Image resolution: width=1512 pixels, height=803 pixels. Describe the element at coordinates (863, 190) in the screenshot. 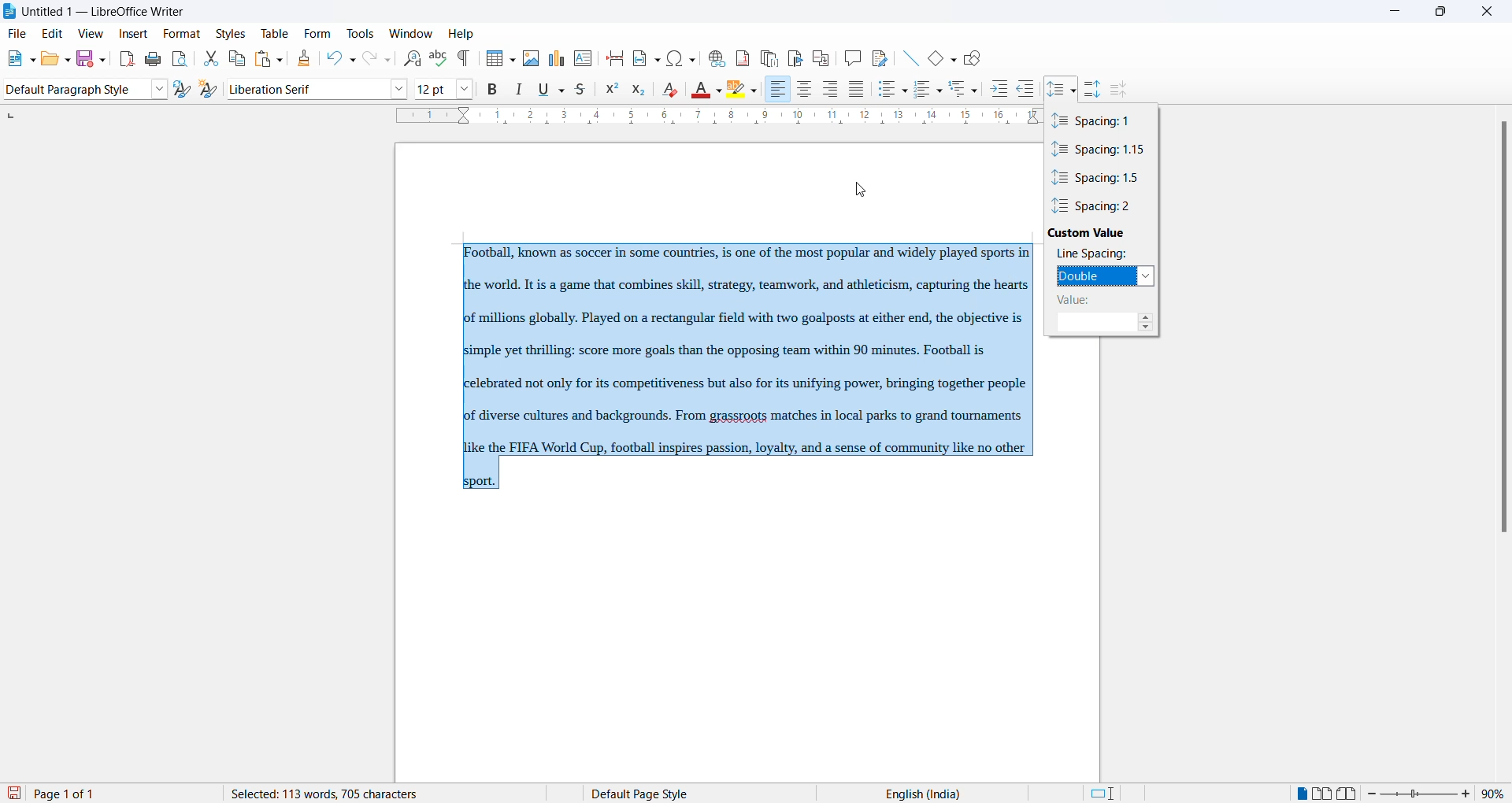

I see `cursor` at that location.